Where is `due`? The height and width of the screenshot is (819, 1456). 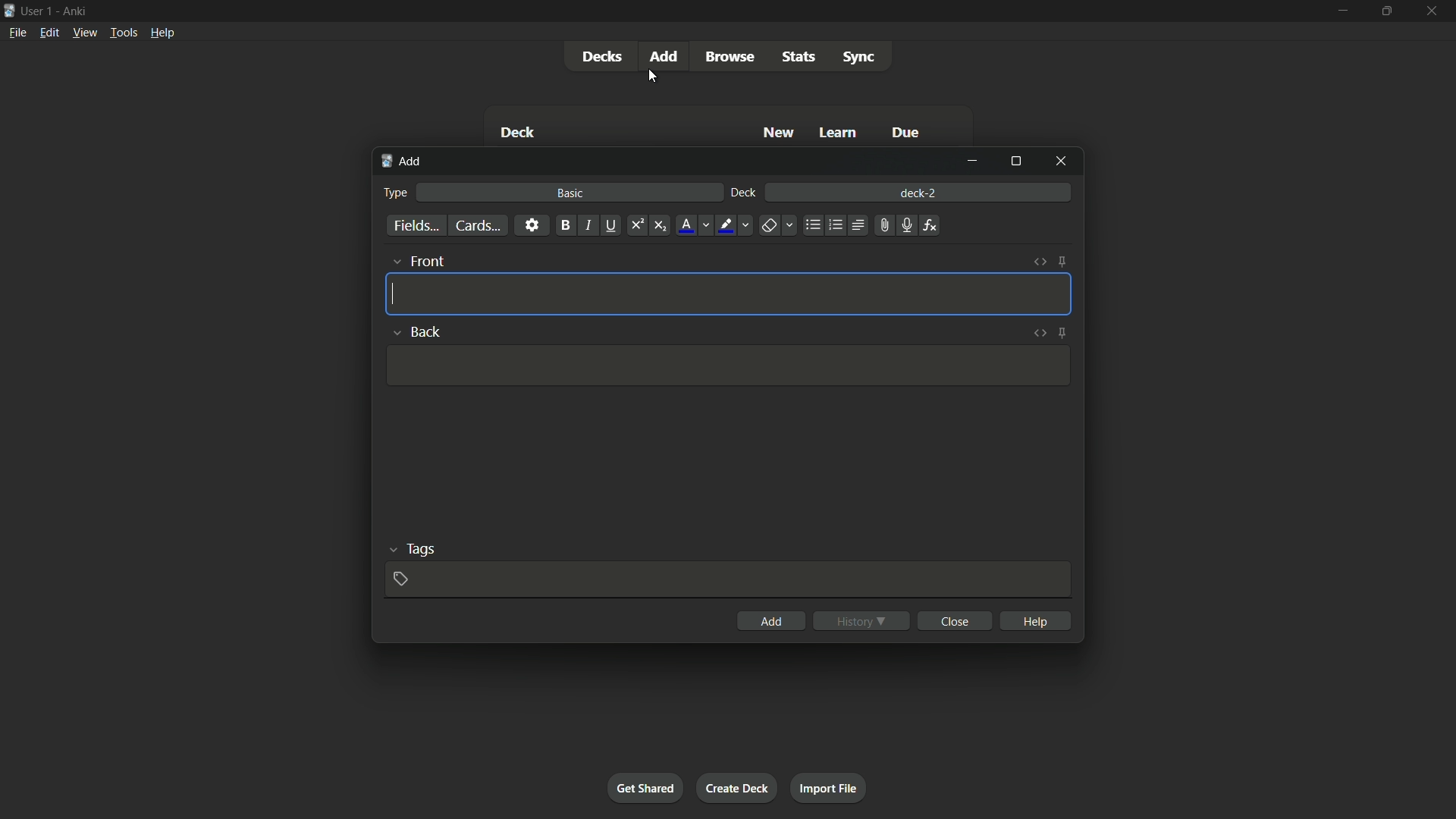 due is located at coordinates (903, 133).